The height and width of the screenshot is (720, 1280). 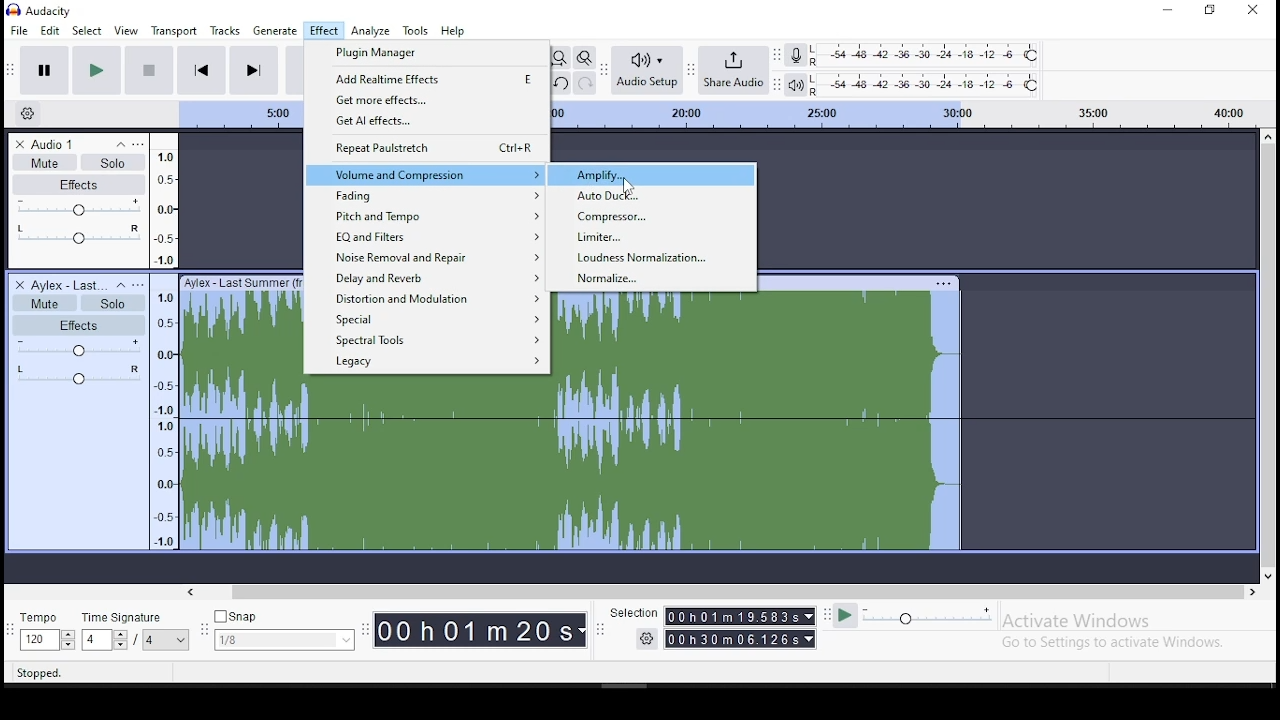 I want to click on effect, so click(x=323, y=31).